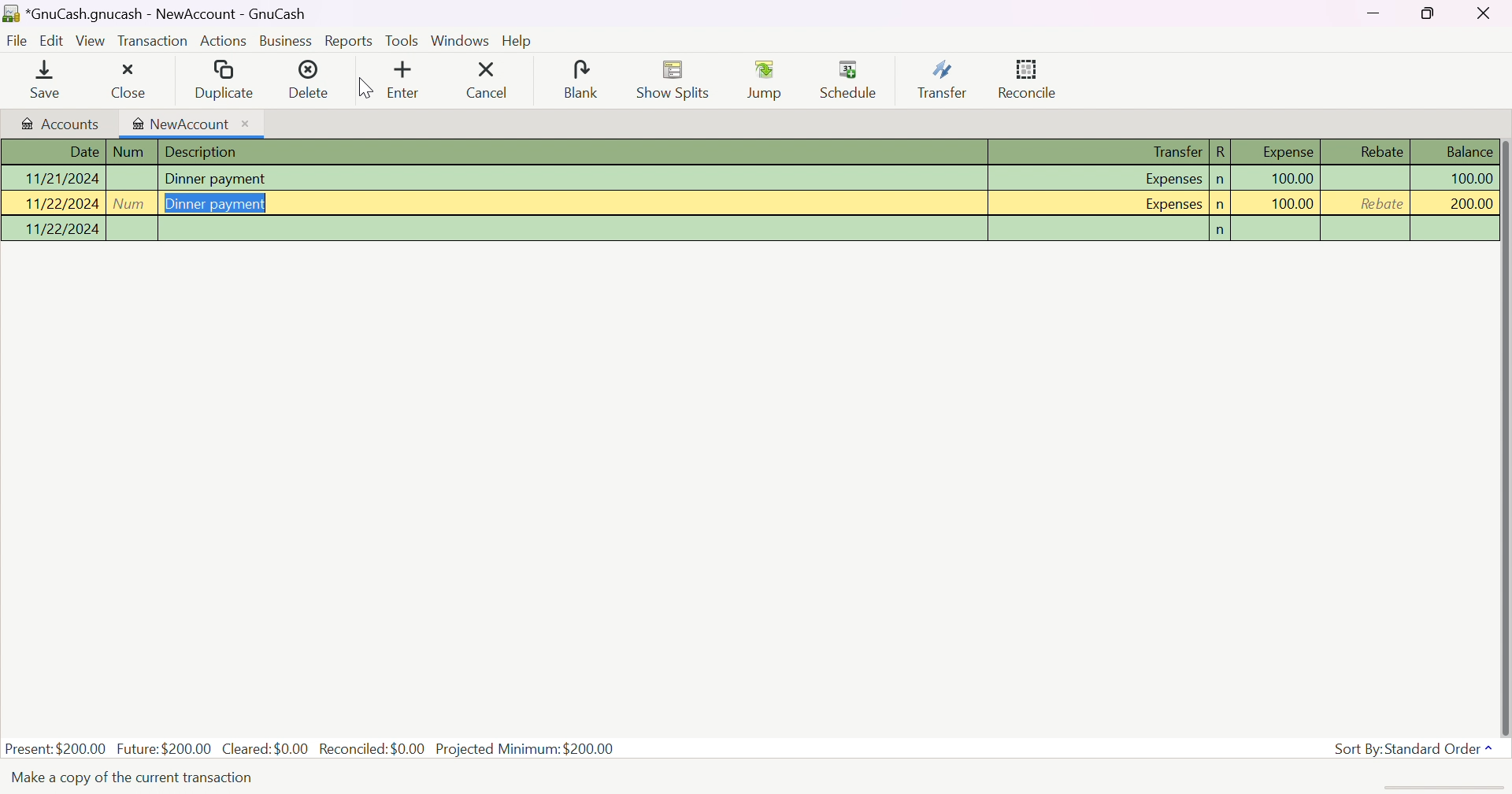 The width and height of the screenshot is (1512, 794). What do you see at coordinates (224, 42) in the screenshot?
I see `Actions` at bounding box center [224, 42].